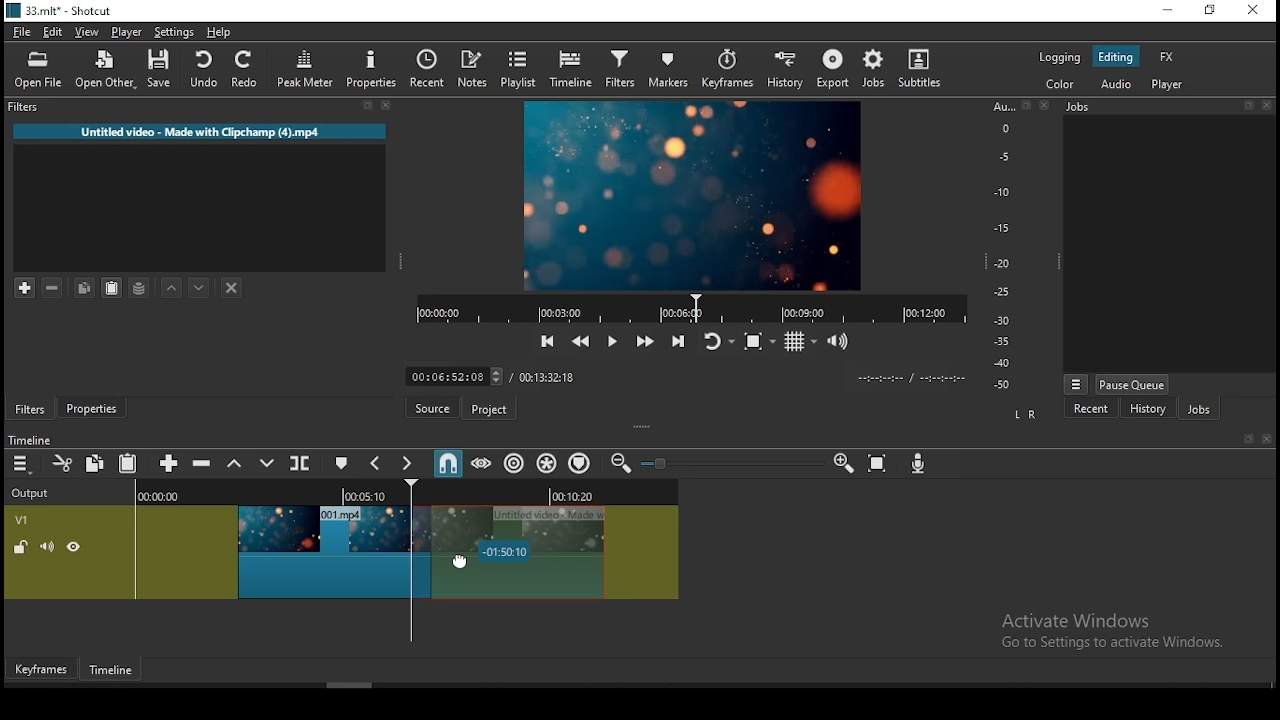  What do you see at coordinates (728, 69) in the screenshot?
I see `keyframes` at bounding box center [728, 69].